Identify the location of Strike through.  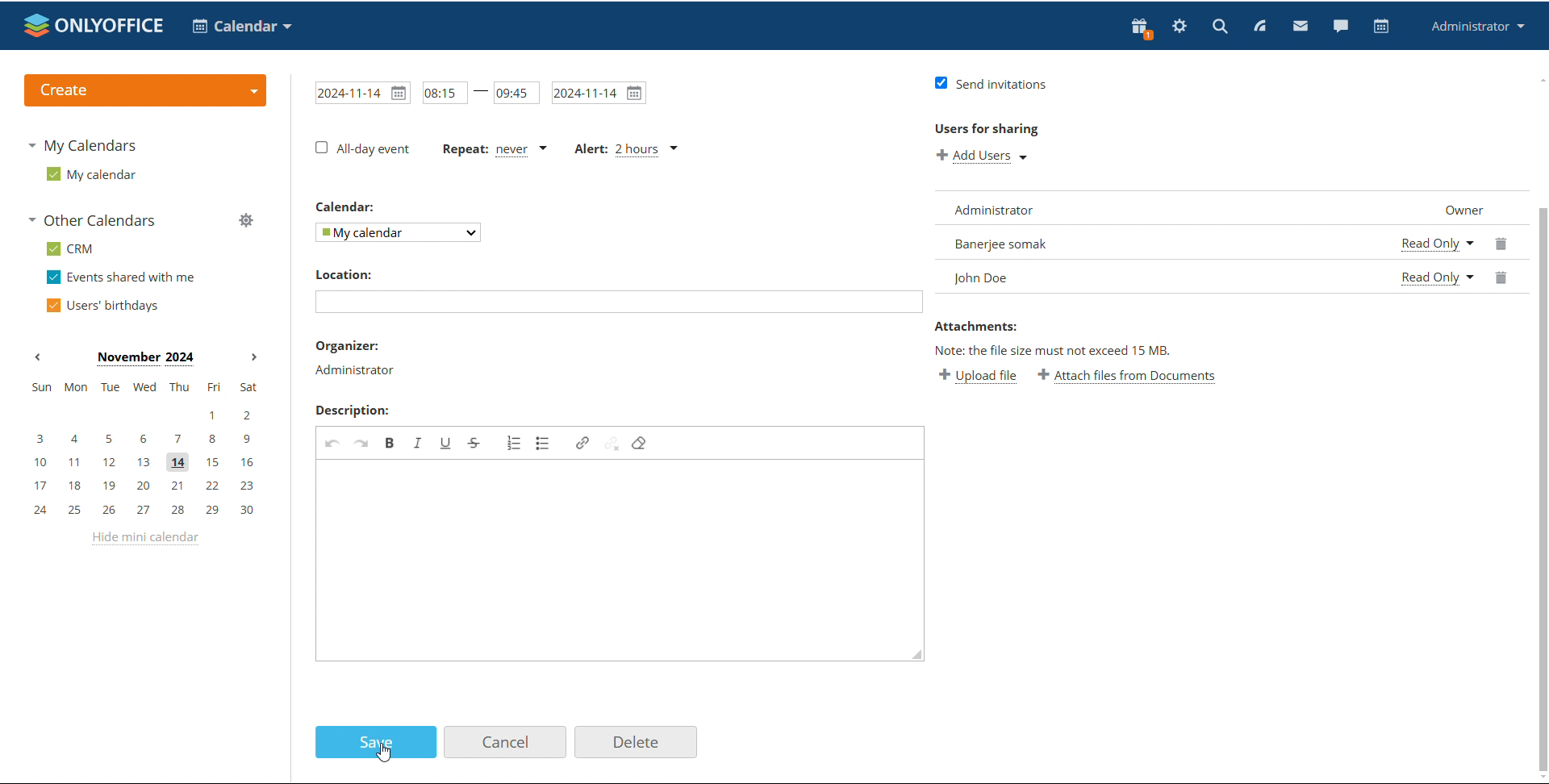
(476, 442).